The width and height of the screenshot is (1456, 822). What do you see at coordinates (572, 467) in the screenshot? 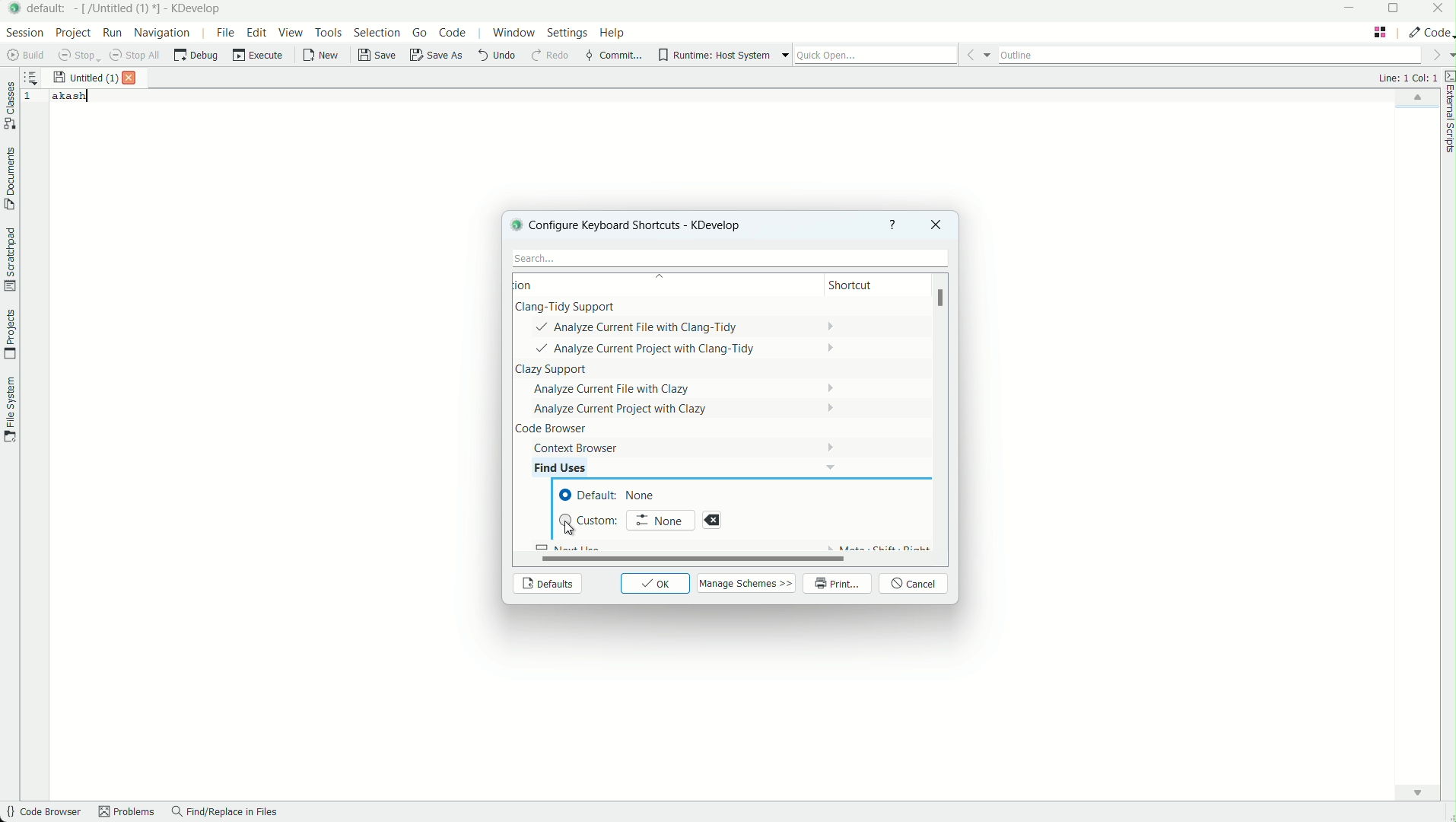
I see `Find uses` at bounding box center [572, 467].